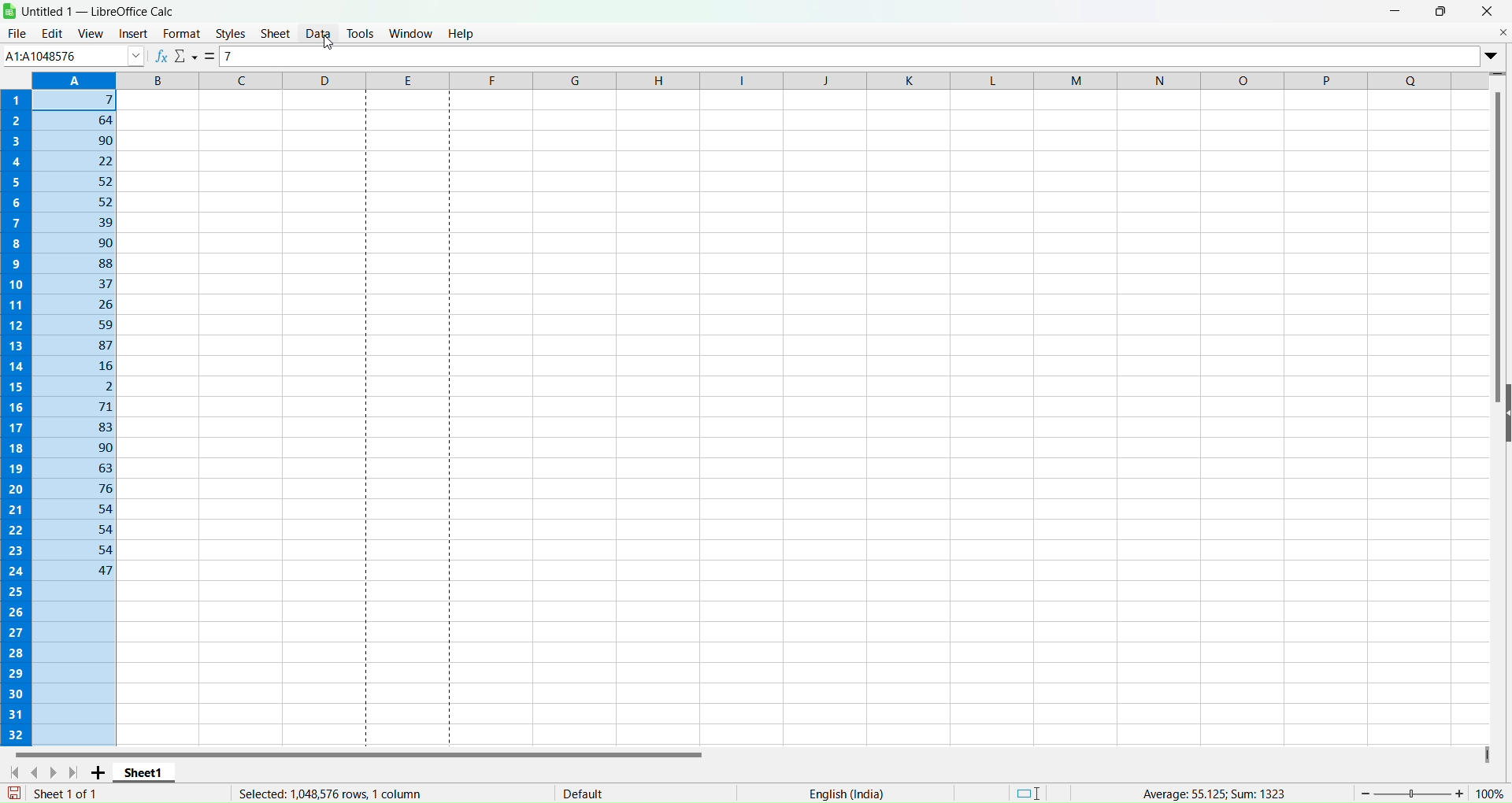 This screenshot has width=1512, height=803. Describe the element at coordinates (14, 415) in the screenshot. I see `Row Labels` at that location.